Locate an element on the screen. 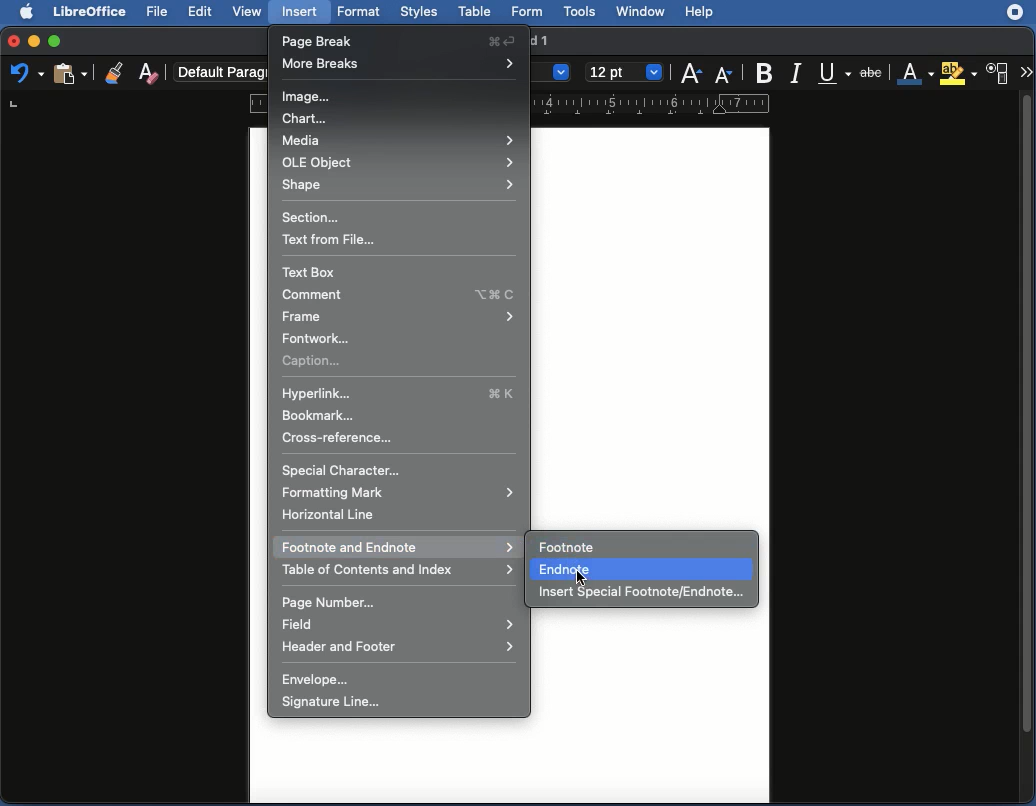 The height and width of the screenshot is (806, 1036). Highlighting color is located at coordinates (957, 73).